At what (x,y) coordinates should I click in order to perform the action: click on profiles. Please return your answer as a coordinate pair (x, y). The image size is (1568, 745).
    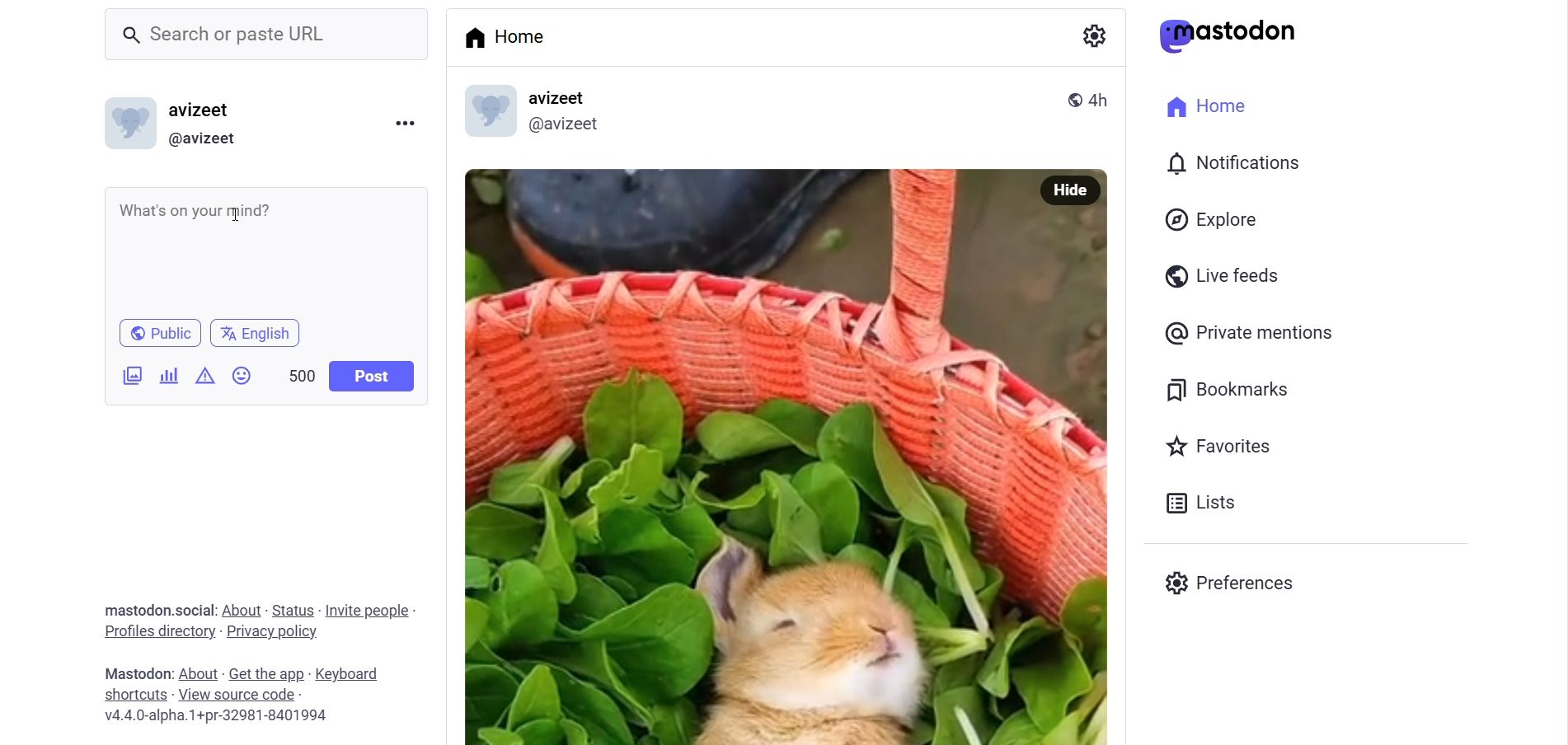
    Looking at the image, I should click on (149, 635).